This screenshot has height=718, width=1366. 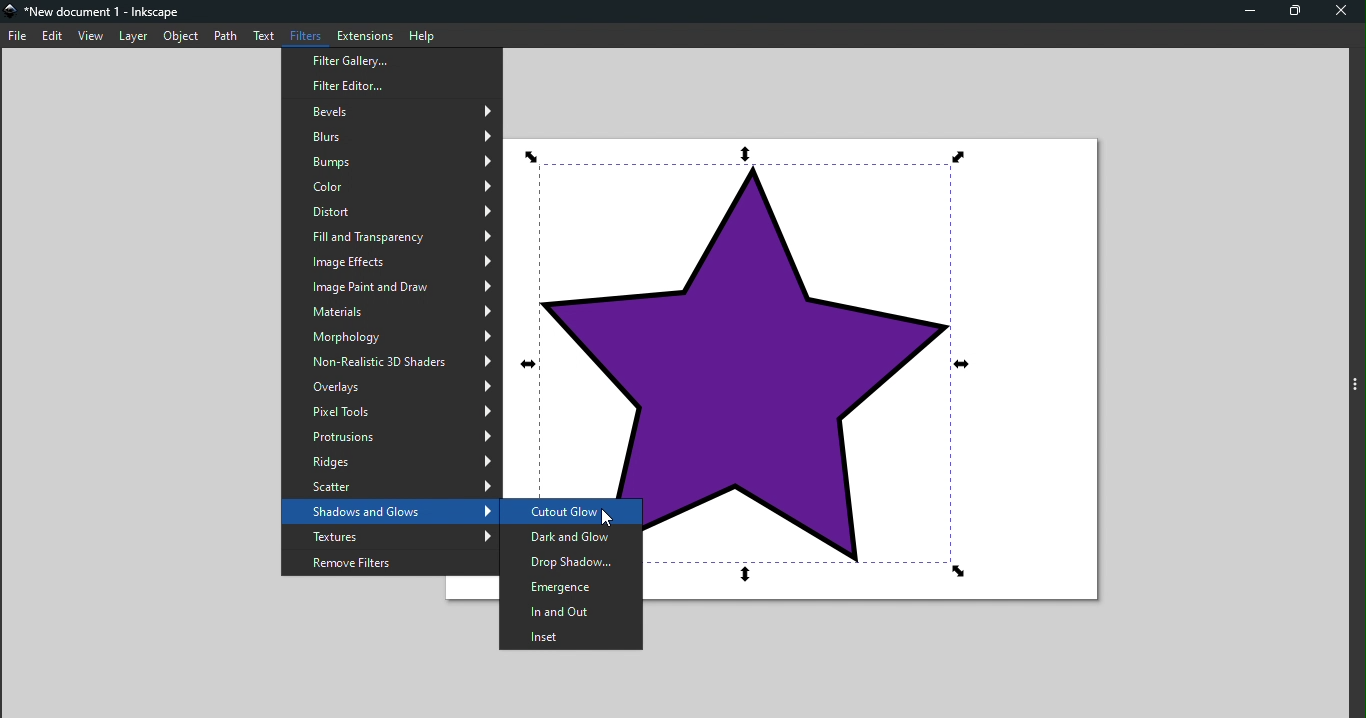 I want to click on Scatter, so click(x=389, y=486).